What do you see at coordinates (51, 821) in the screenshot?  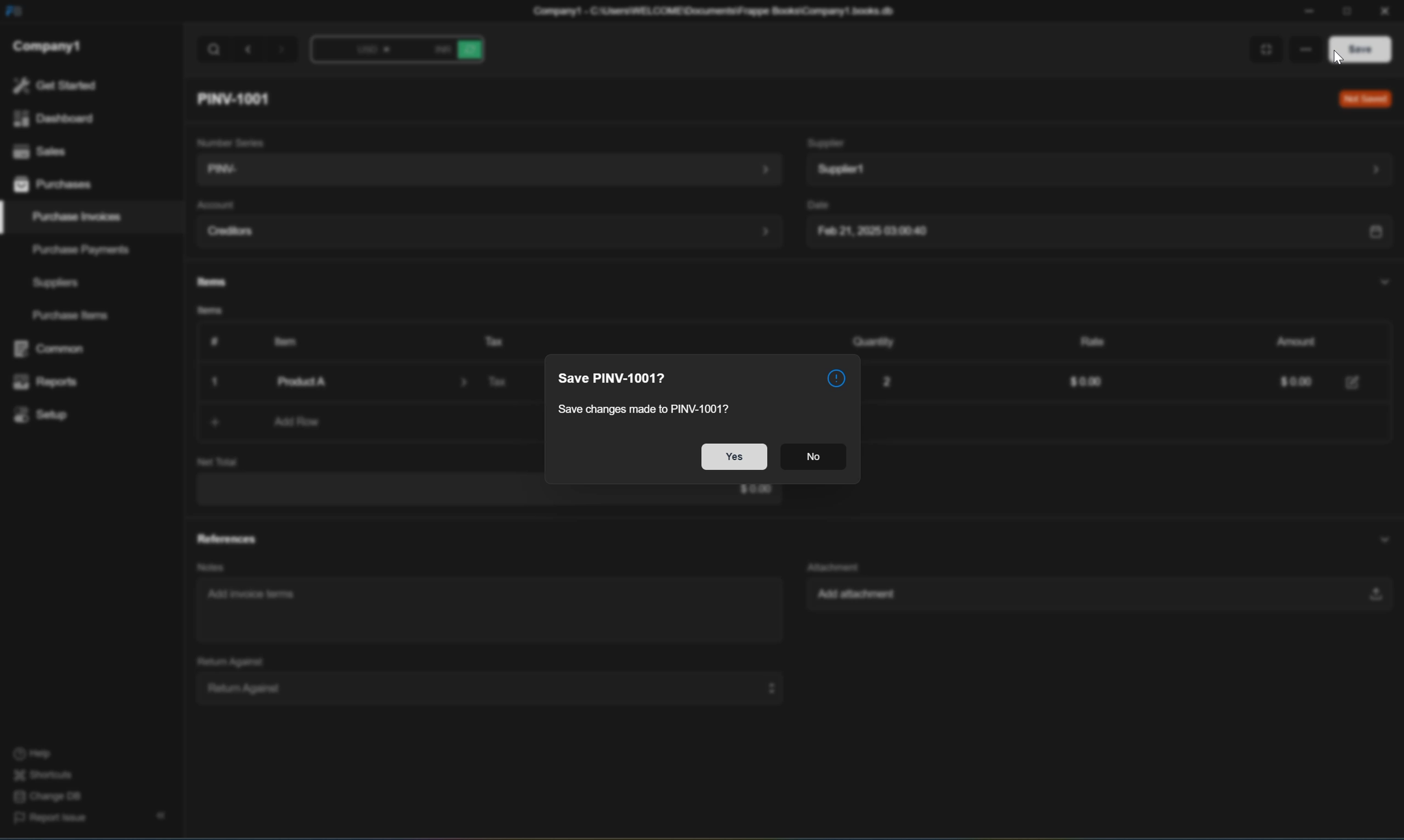 I see `report issue` at bounding box center [51, 821].